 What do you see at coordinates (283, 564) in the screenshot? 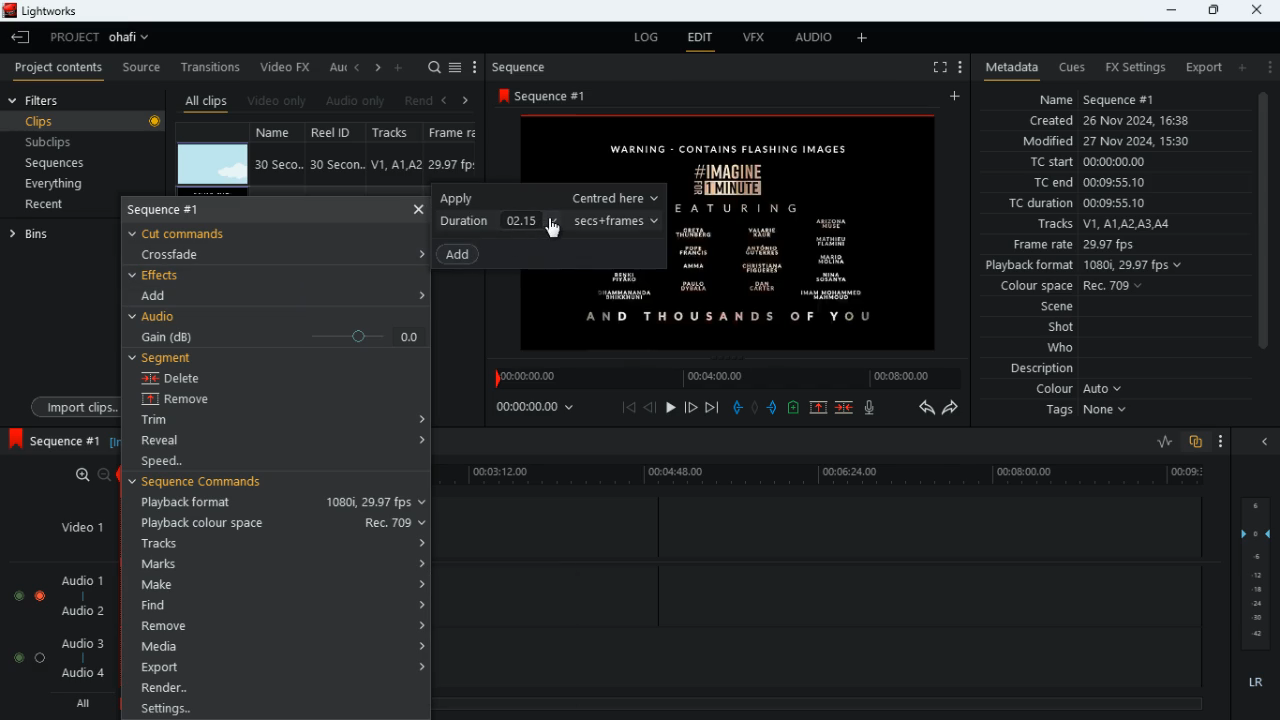
I see `marks` at bounding box center [283, 564].